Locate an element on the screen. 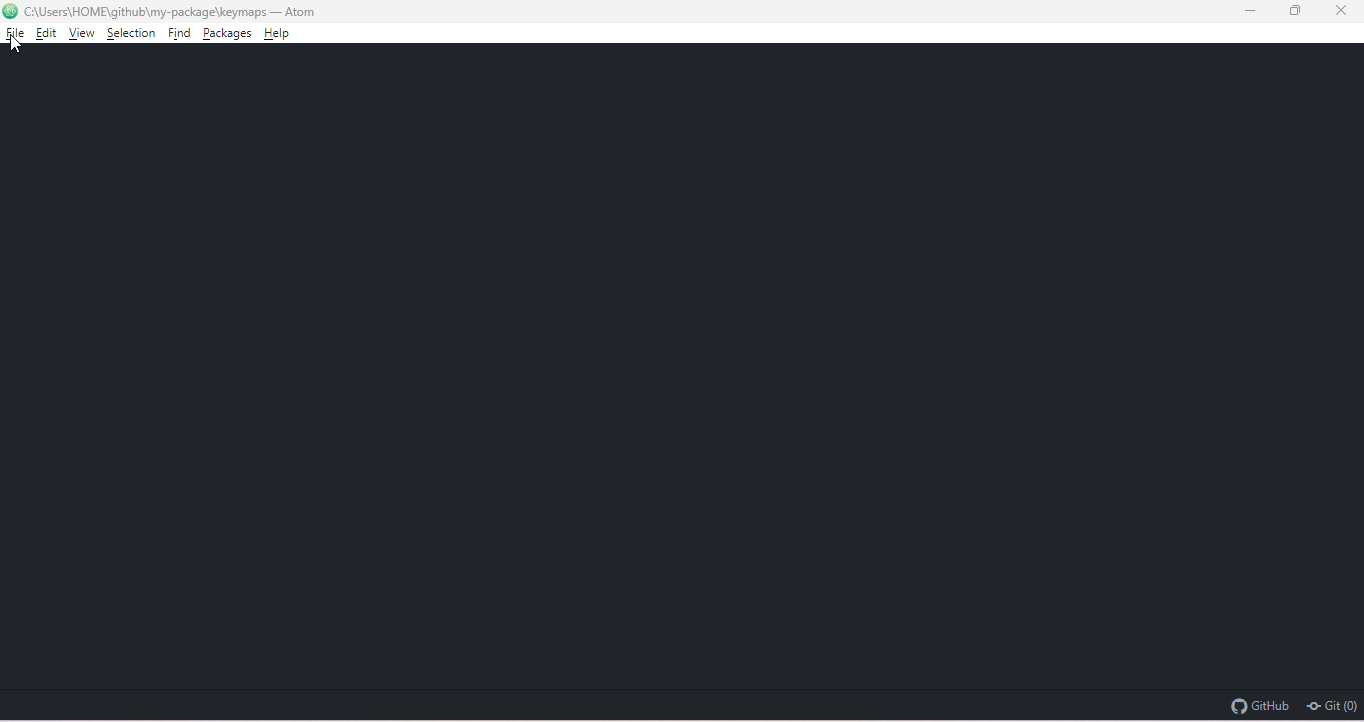 The width and height of the screenshot is (1364, 722). minimize is located at coordinates (1246, 13).